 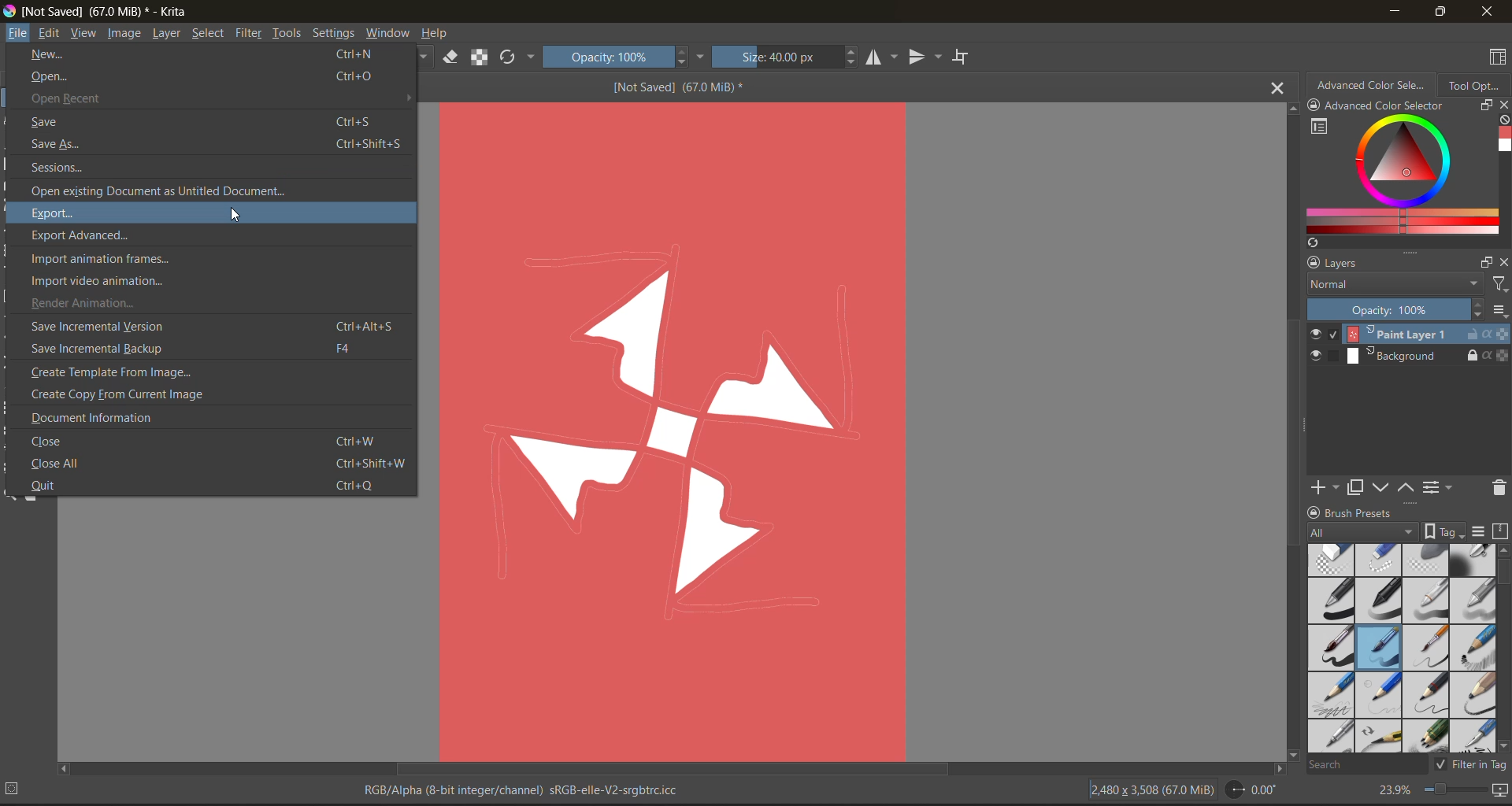 I want to click on mask up, so click(x=1408, y=486).